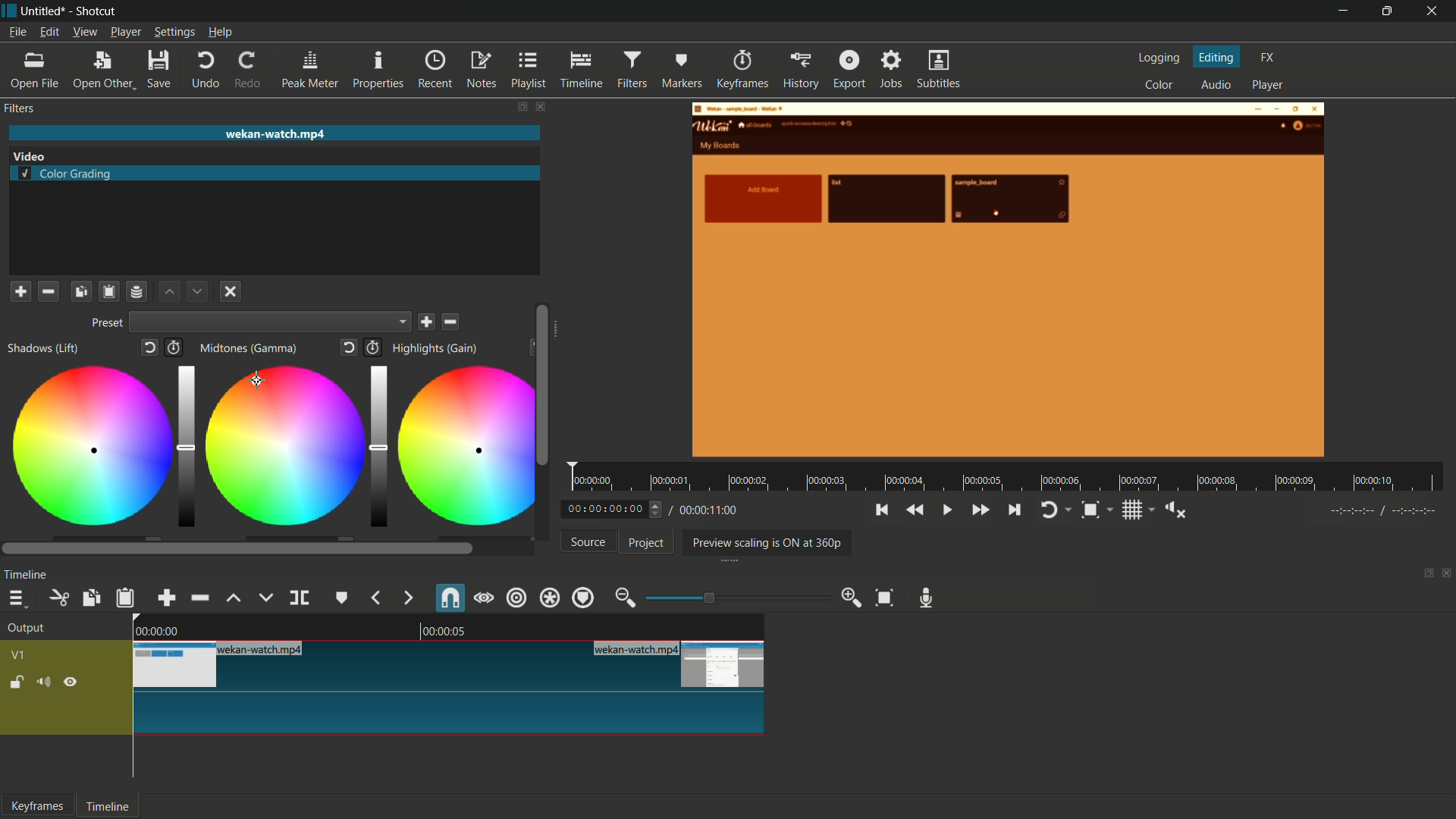 This screenshot has width=1456, height=819. What do you see at coordinates (275, 133) in the screenshot?
I see `imported file name` at bounding box center [275, 133].